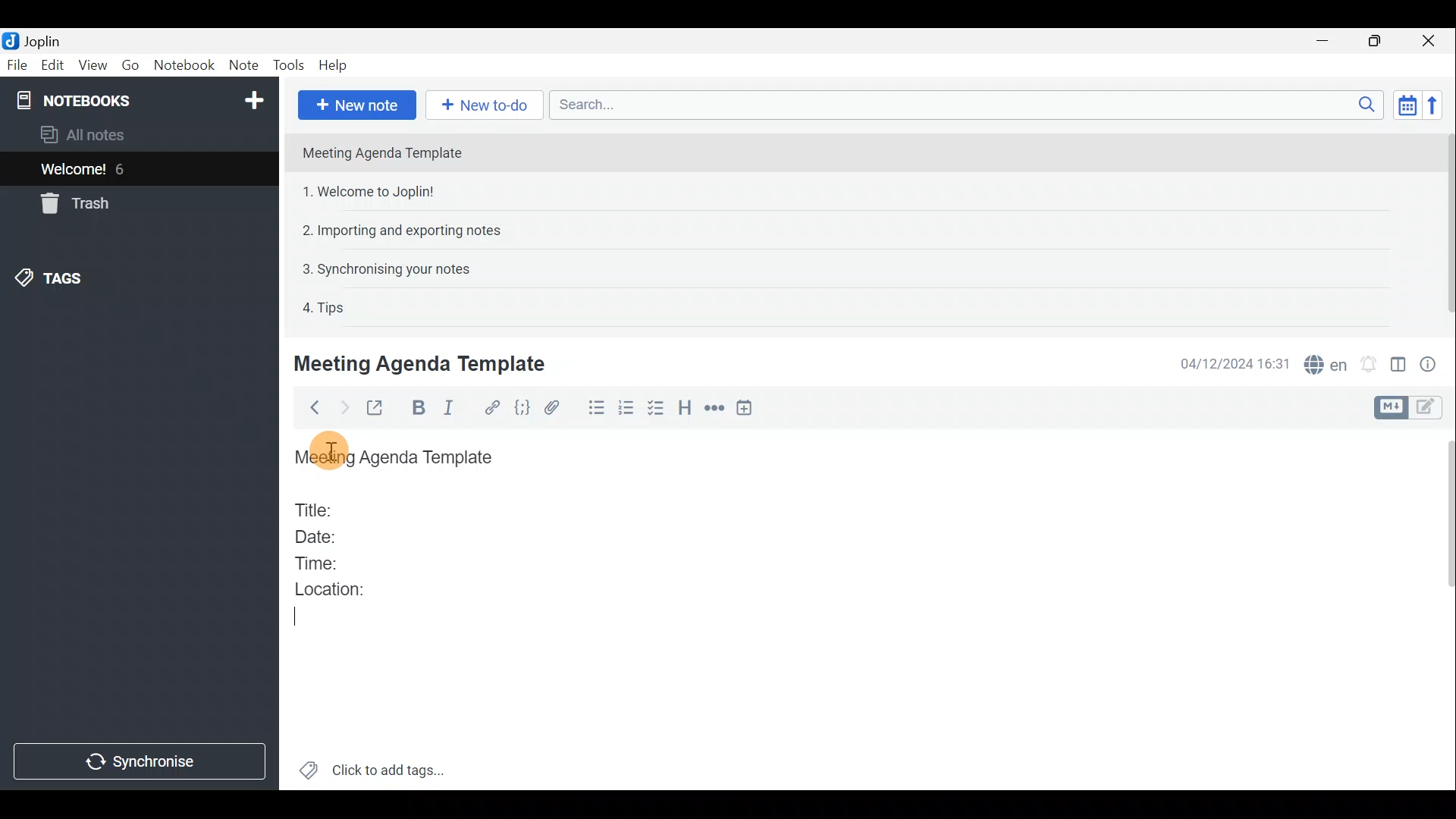 The width and height of the screenshot is (1456, 819). What do you see at coordinates (242, 62) in the screenshot?
I see `Note` at bounding box center [242, 62].